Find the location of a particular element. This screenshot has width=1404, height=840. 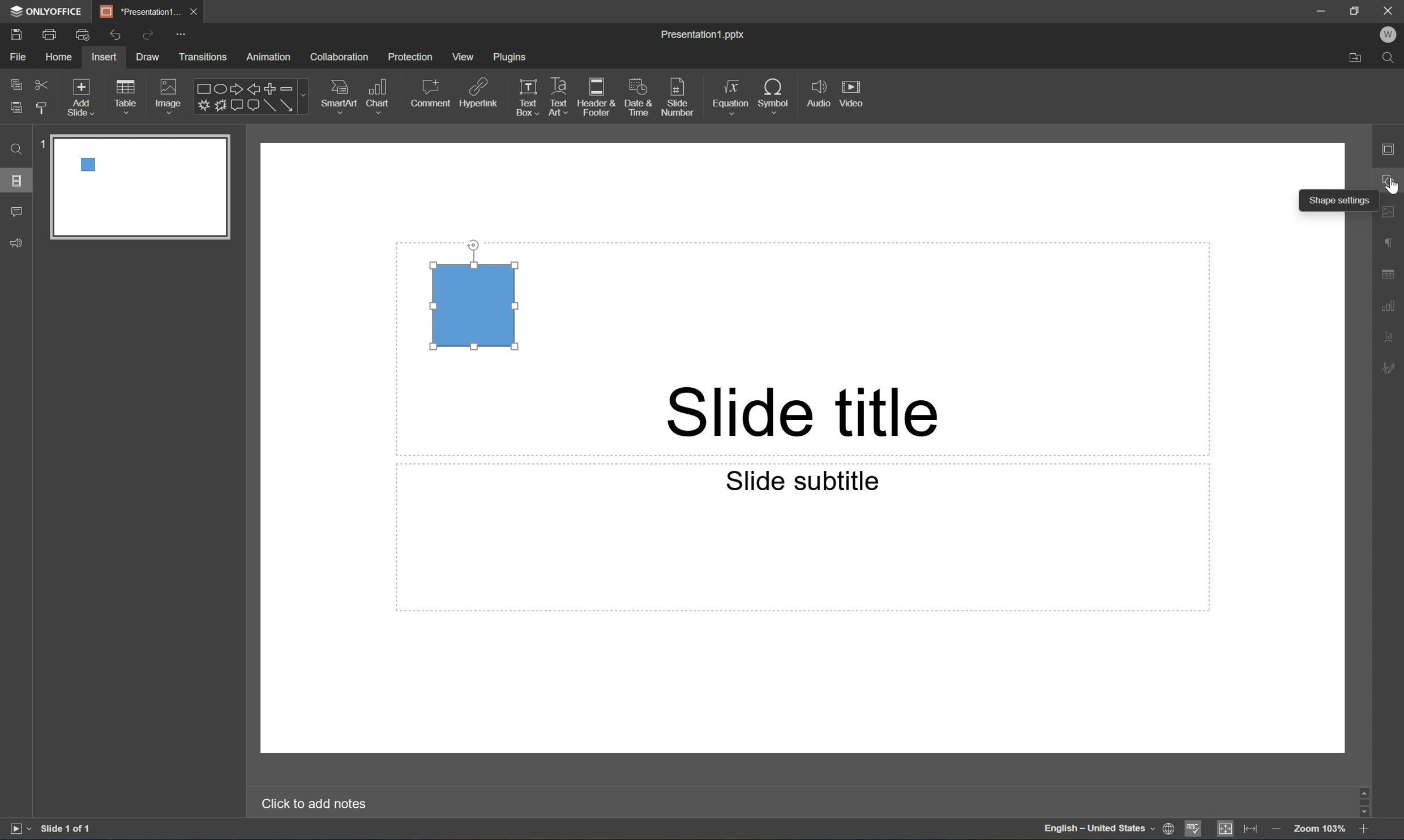

slide is located at coordinates (140, 188).